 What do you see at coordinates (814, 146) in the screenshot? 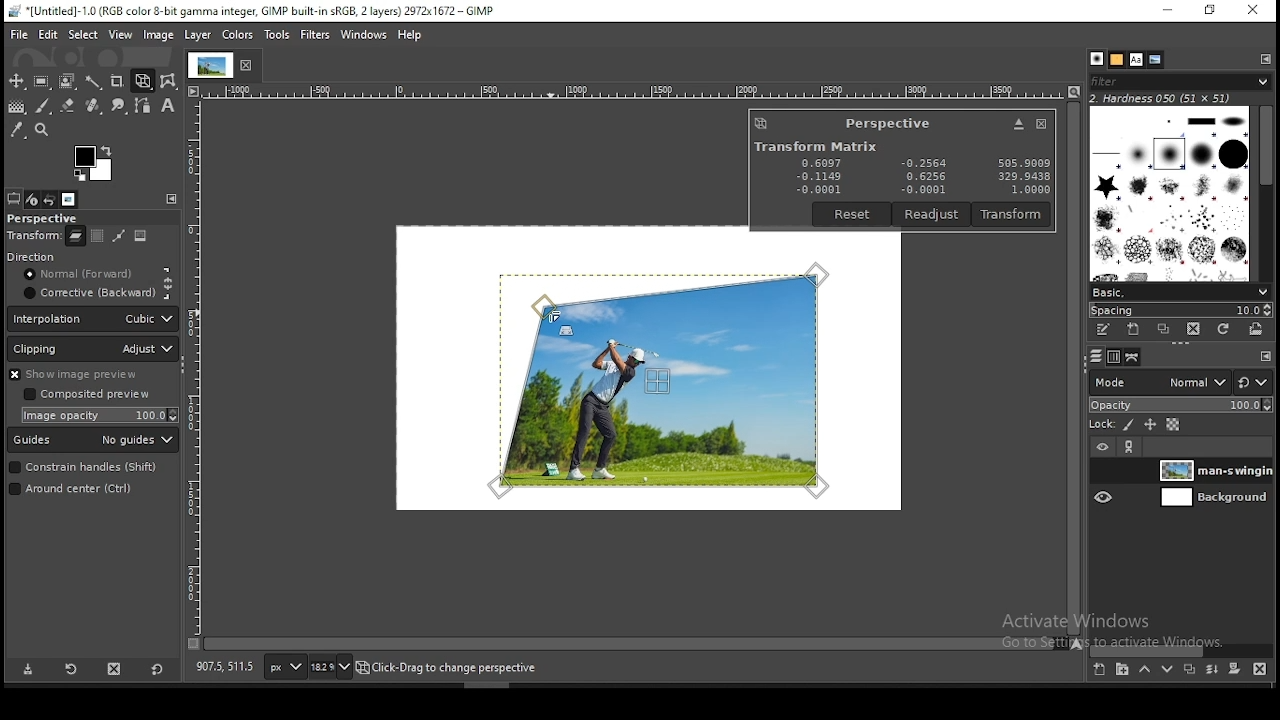
I see `Transform Matrix` at bounding box center [814, 146].